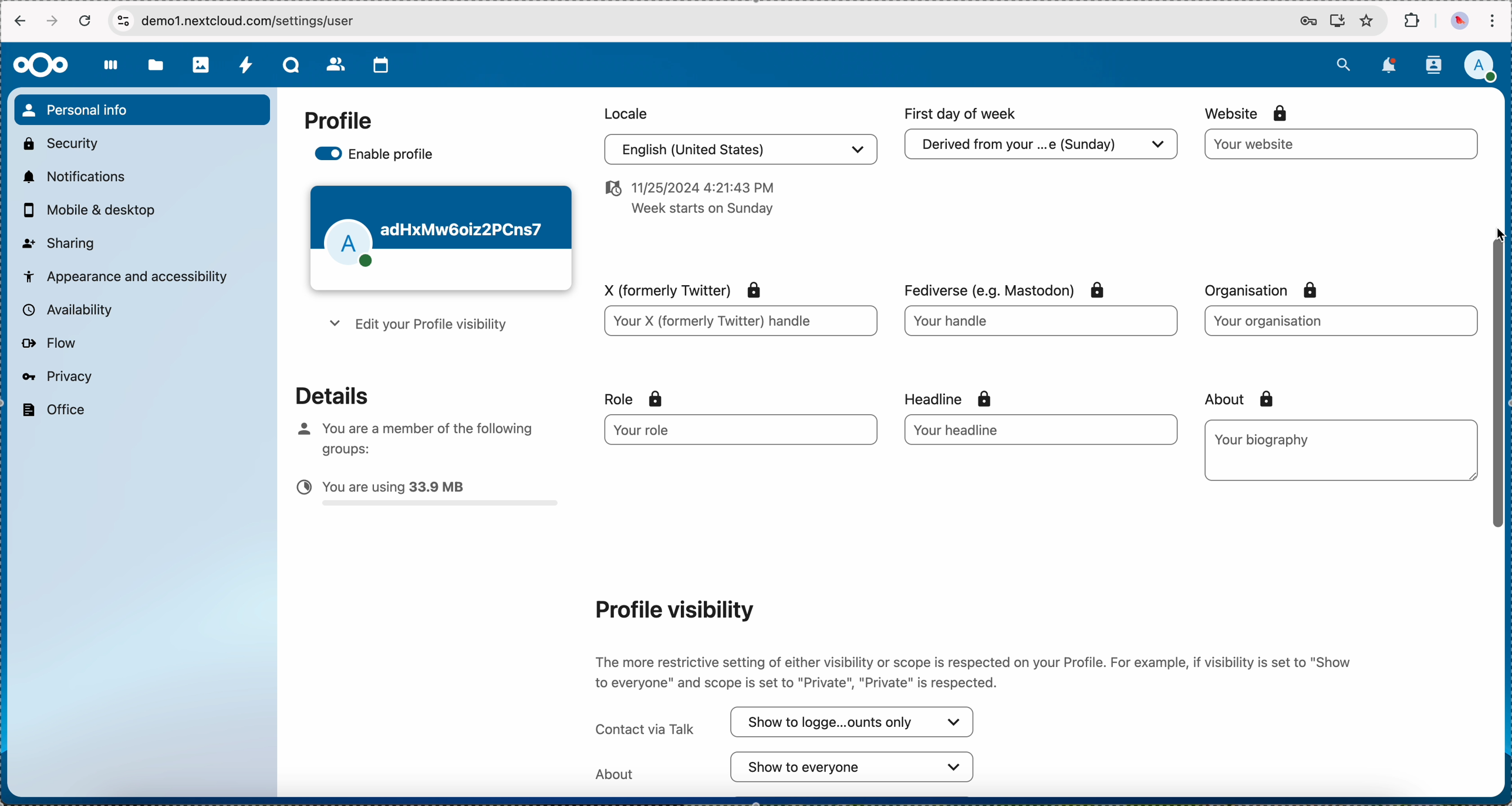  What do you see at coordinates (336, 66) in the screenshot?
I see `contacts` at bounding box center [336, 66].